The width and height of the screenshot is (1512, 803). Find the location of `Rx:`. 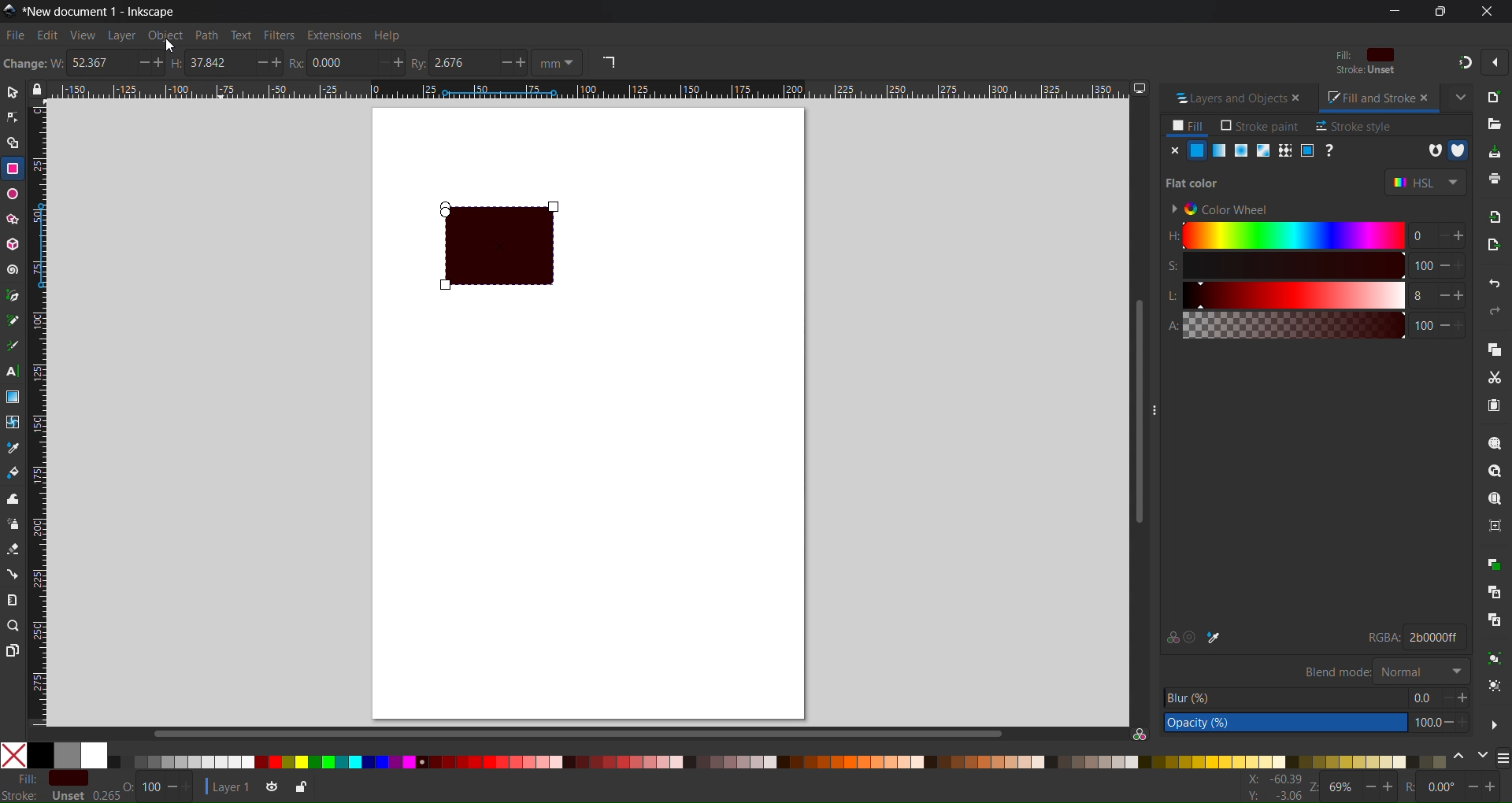

Rx: is located at coordinates (300, 63).